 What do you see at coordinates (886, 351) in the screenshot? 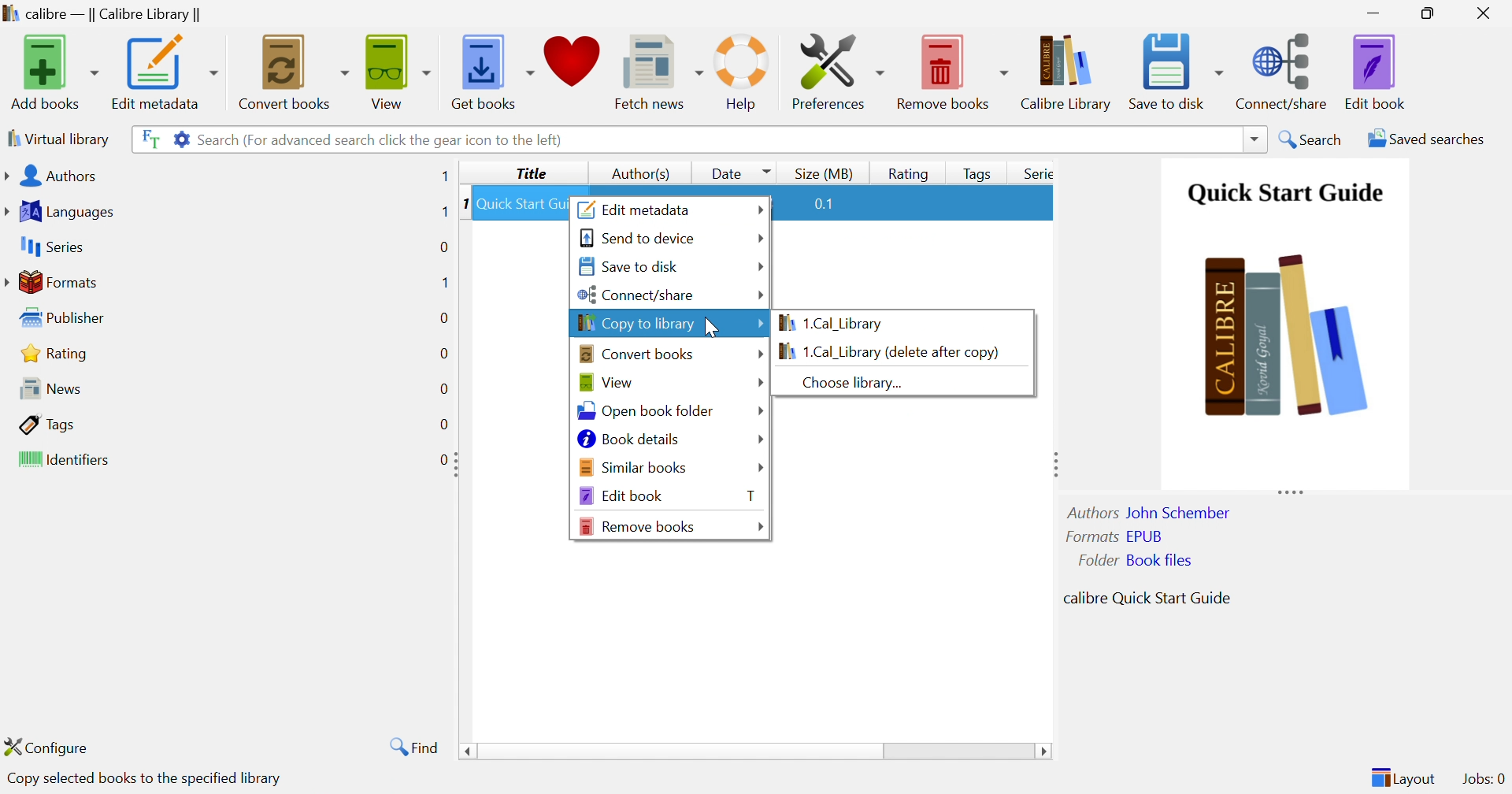
I see `1. Cal_Library (delete after copy)` at bounding box center [886, 351].